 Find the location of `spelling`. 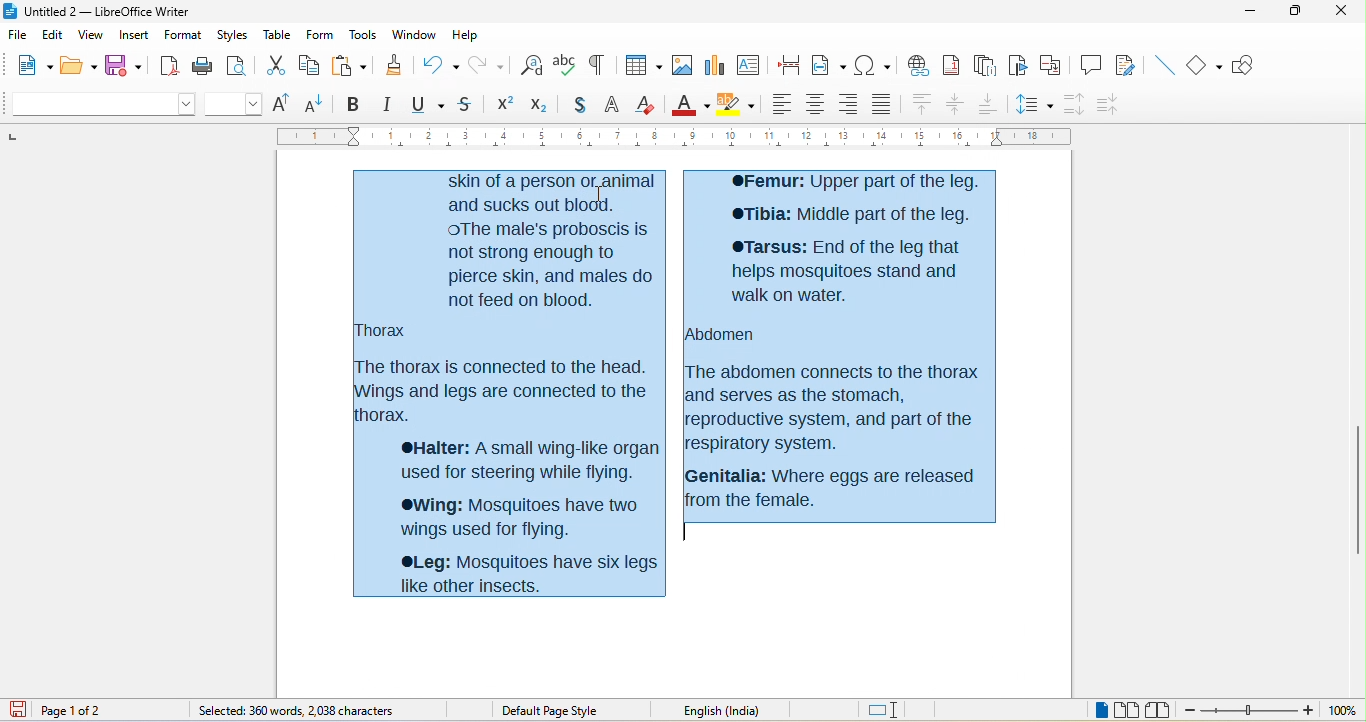

spelling is located at coordinates (567, 66).